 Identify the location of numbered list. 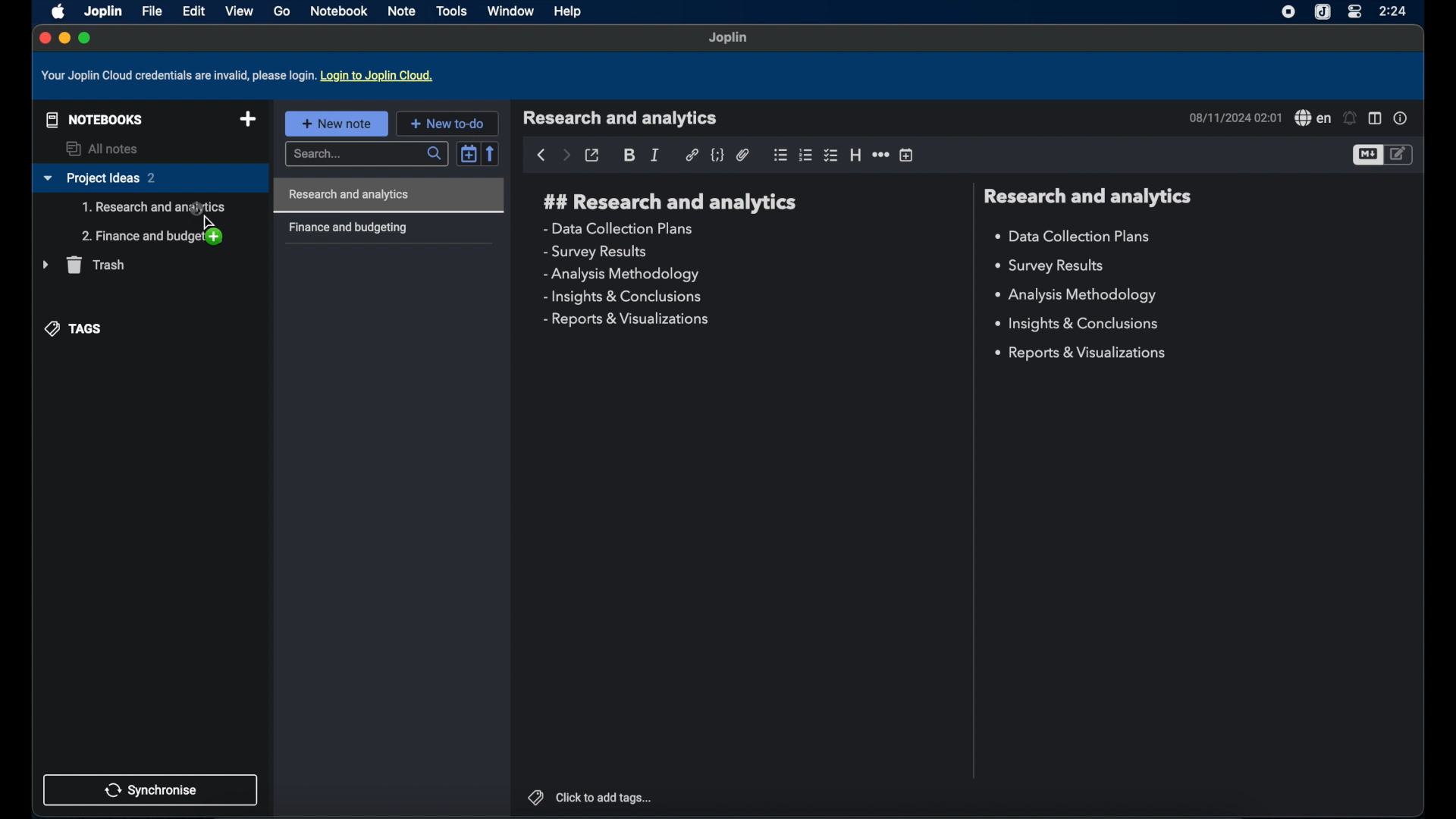
(806, 155).